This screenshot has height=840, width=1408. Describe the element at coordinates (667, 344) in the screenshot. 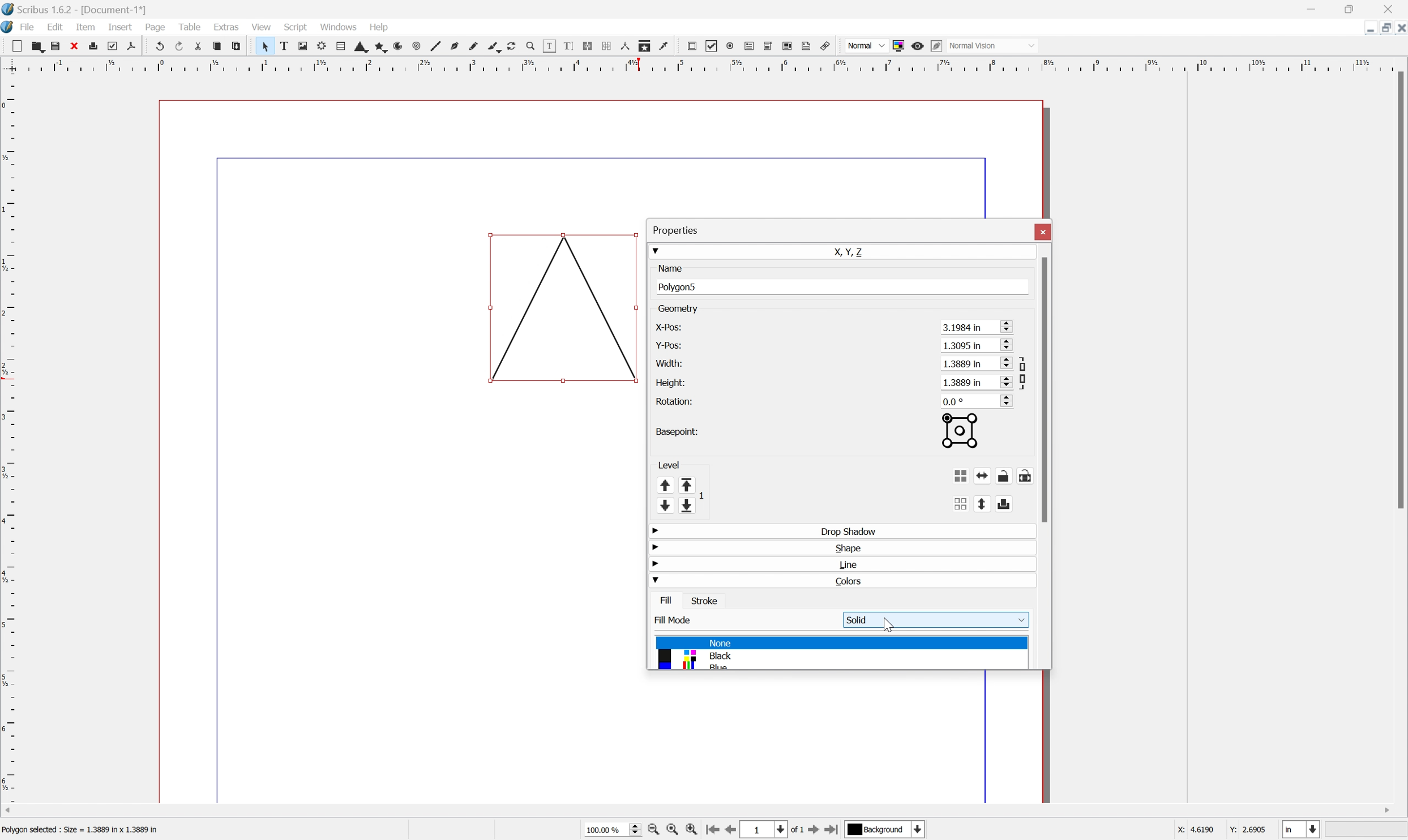

I see `Y-pos` at that location.